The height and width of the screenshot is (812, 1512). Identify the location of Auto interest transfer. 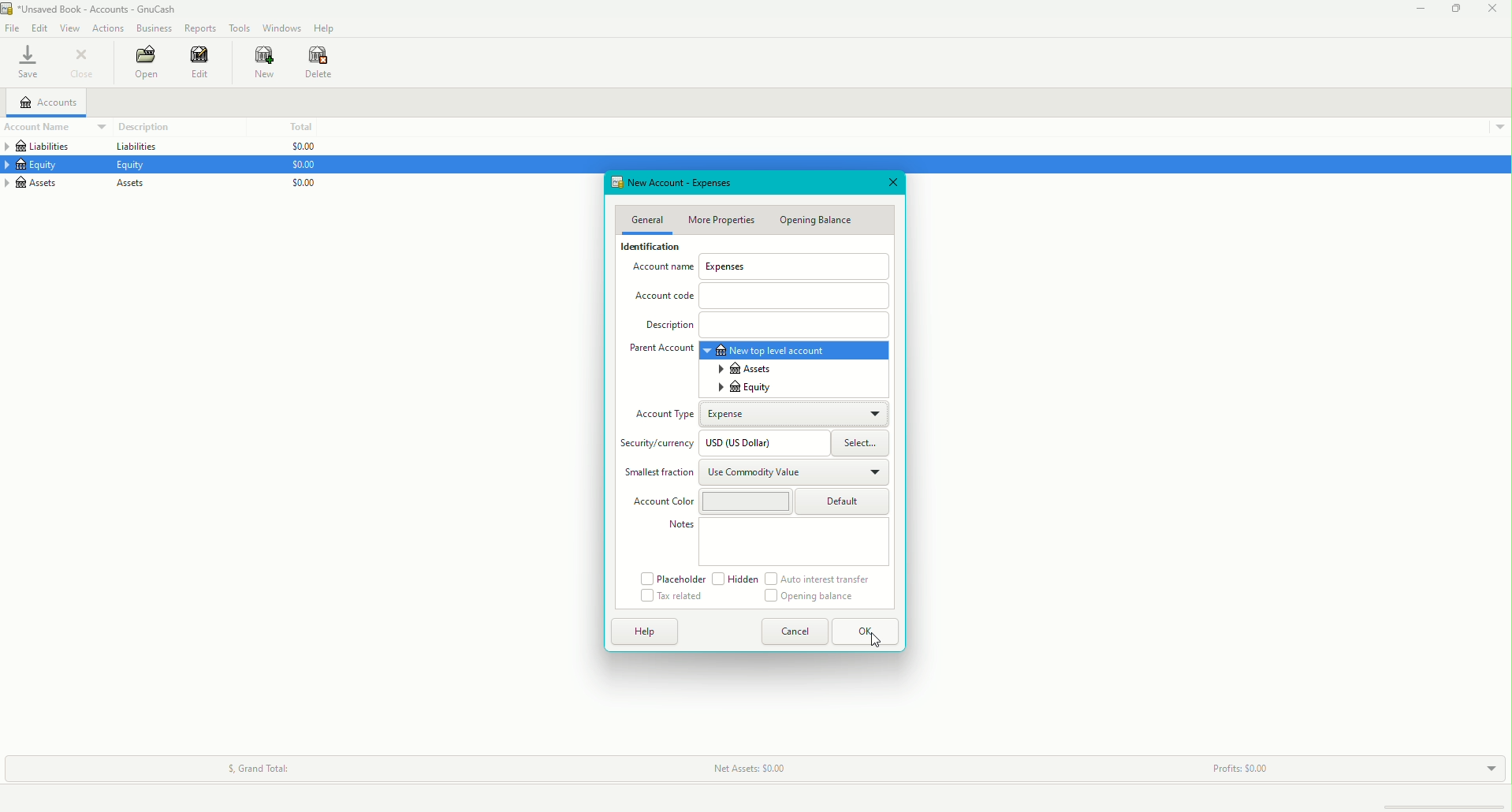
(821, 579).